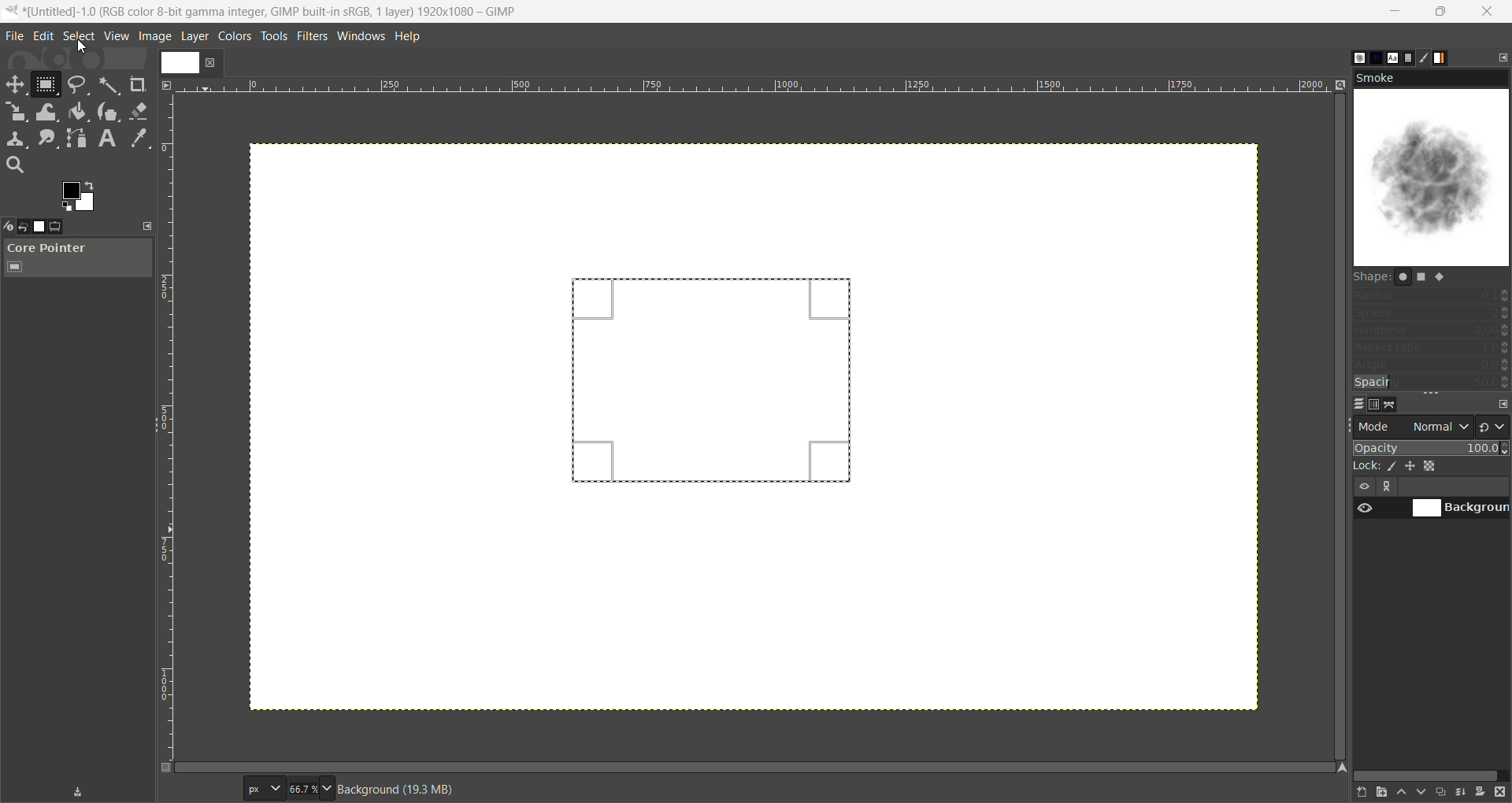  I want to click on maximize, so click(1442, 10).